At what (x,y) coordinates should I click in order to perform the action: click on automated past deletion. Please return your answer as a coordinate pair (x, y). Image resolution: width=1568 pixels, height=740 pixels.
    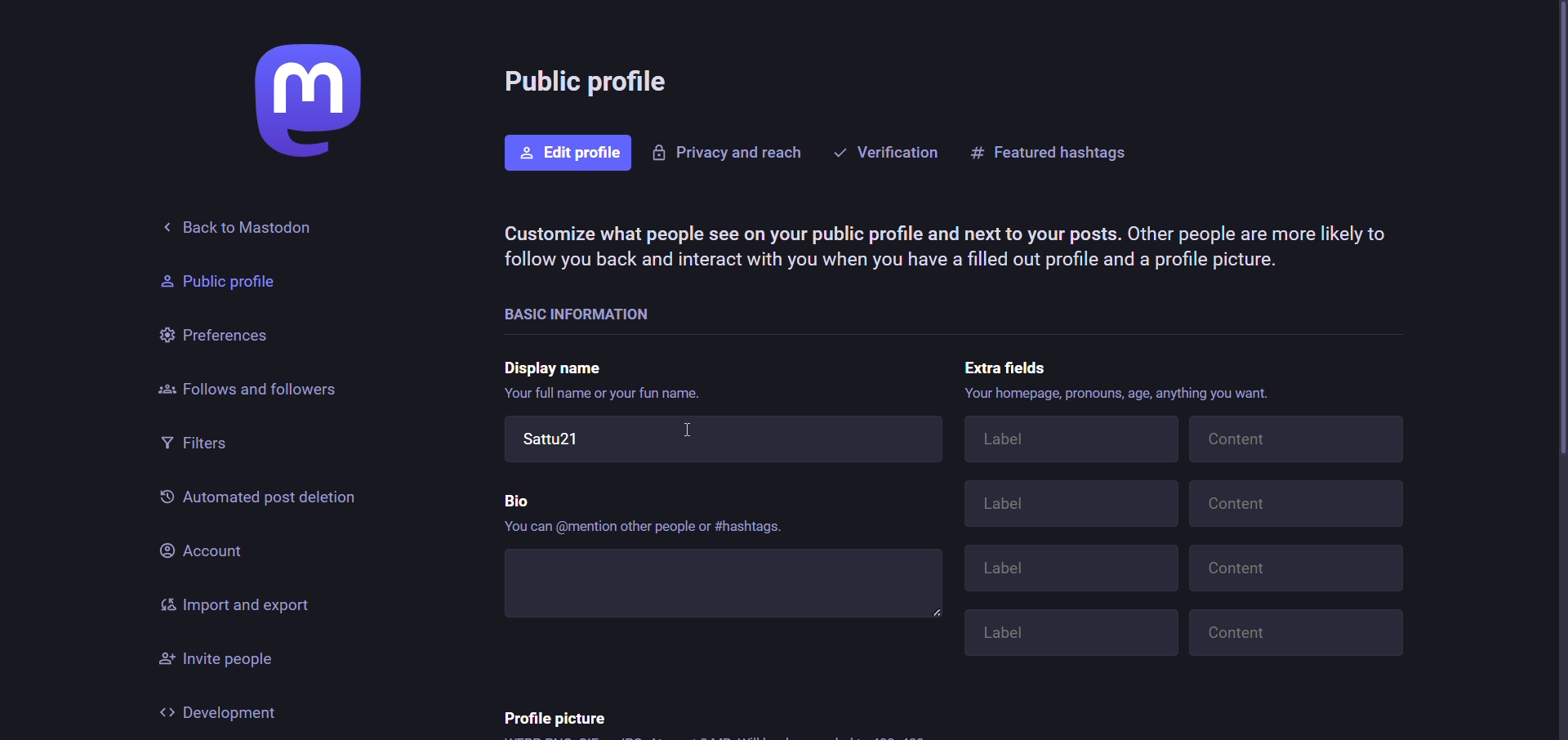
    Looking at the image, I should click on (256, 500).